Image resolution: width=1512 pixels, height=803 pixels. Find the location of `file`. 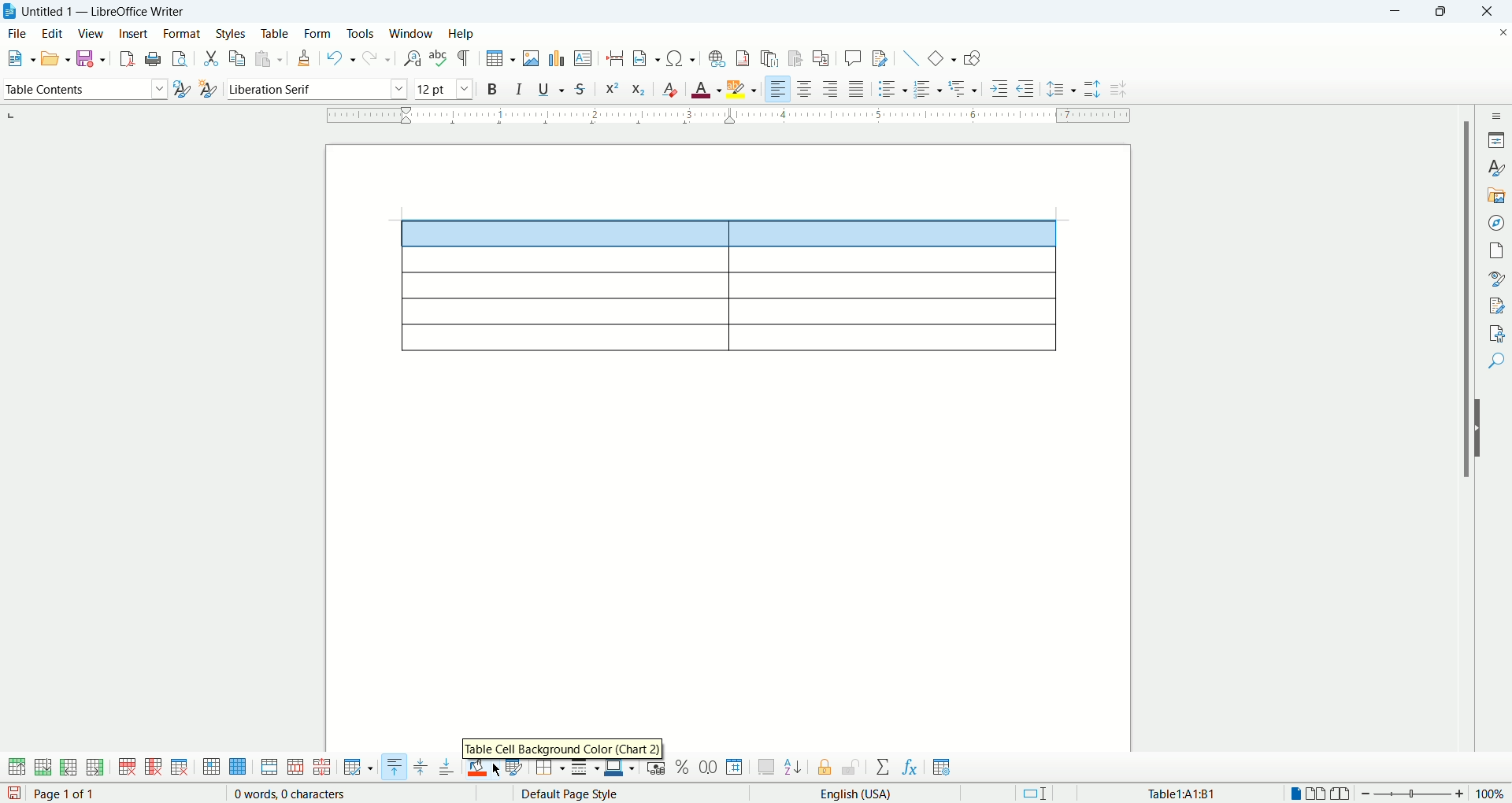

file is located at coordinates (17, 34).